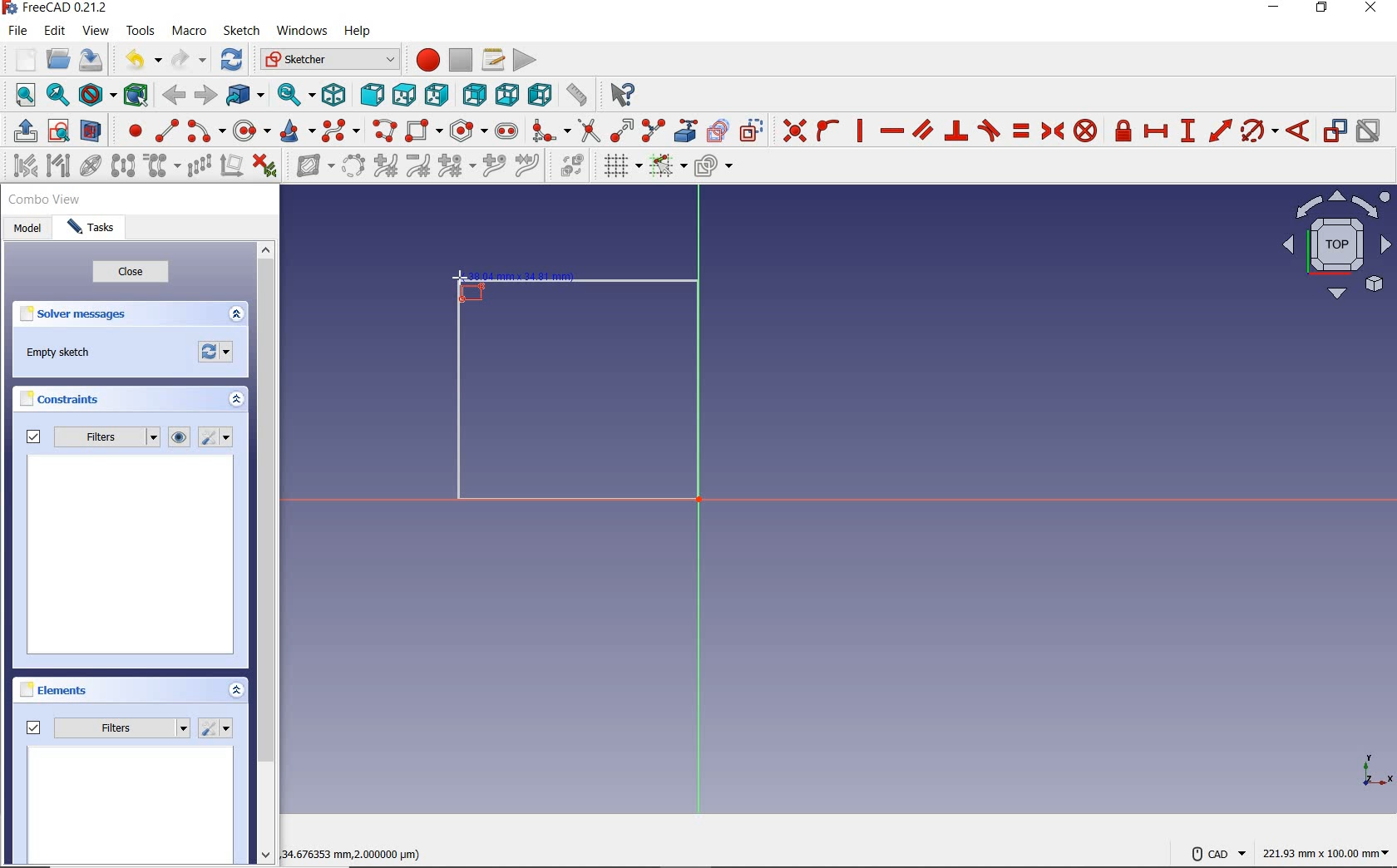 The image size is (1397, 868). What do you see at coordinates (1190, 132) in the screenshot?
I see `constrain vertical distance` at bounding box center [1190, 132].